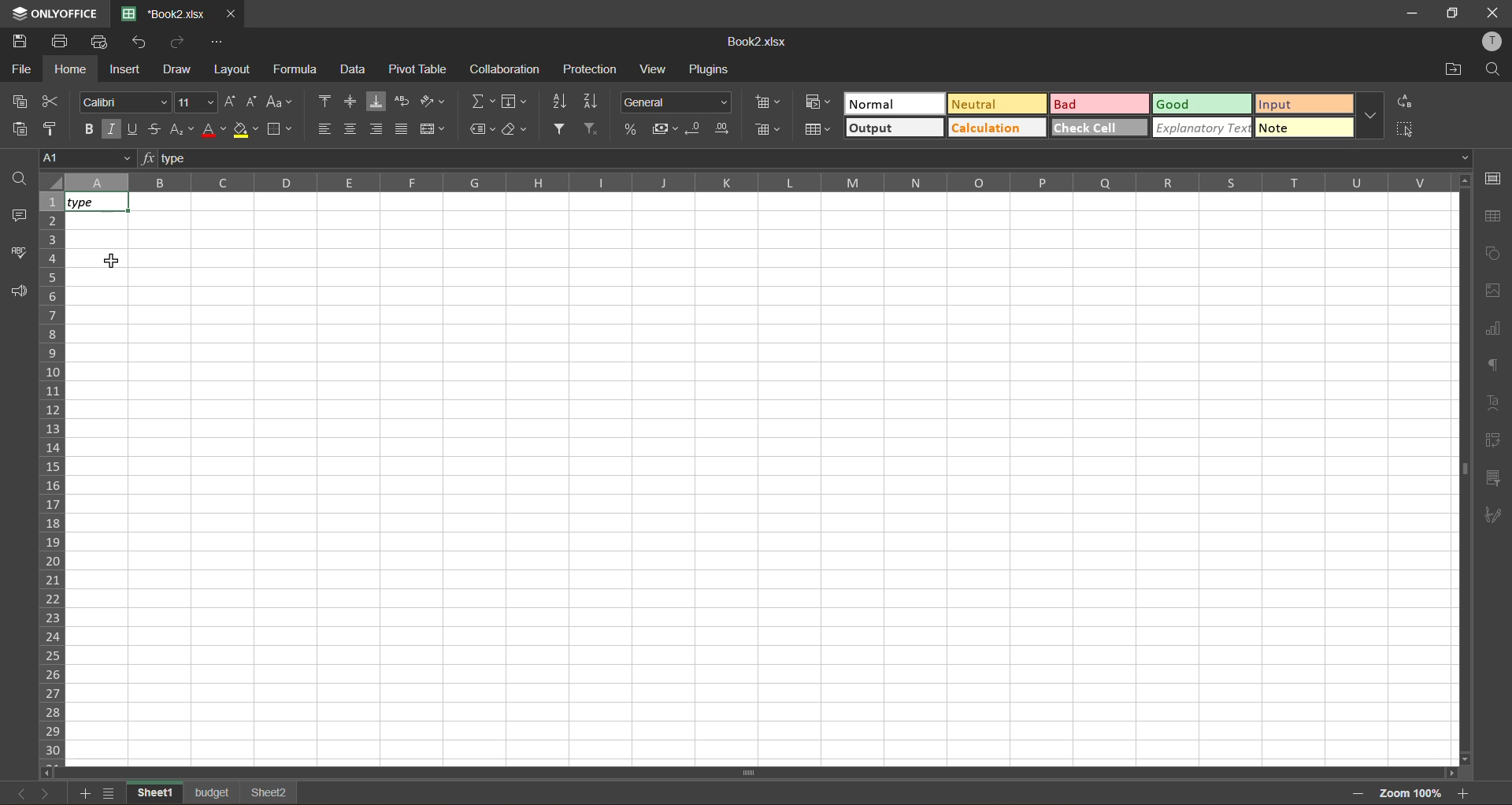 Image resolution: width=1512 pixels, height=805 pixels. Describe the element at coordinates (111, 793) in the screenshot. I see `sheet list` at that location.